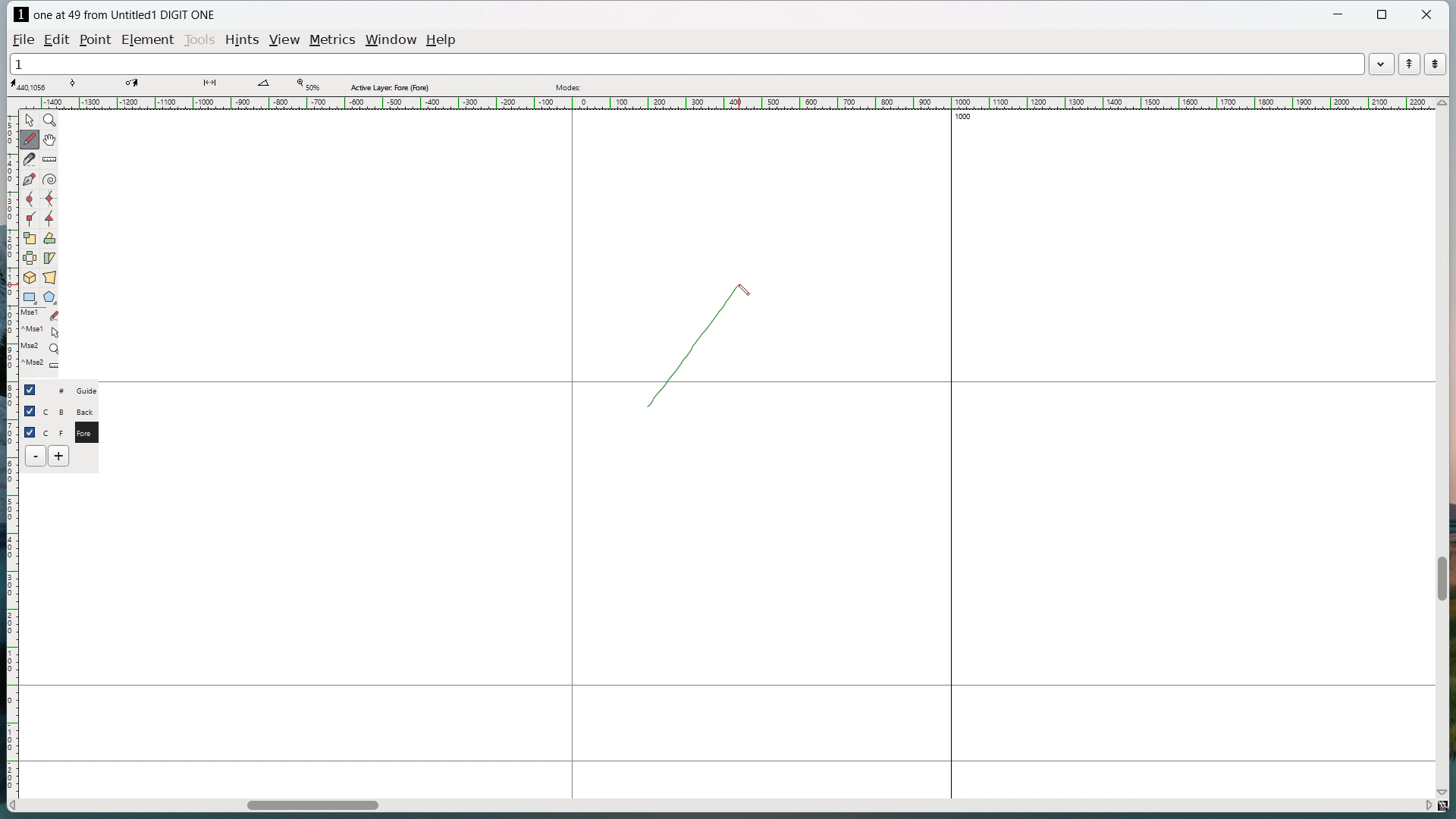 The height and width of the screenshot is (819, 1456). Describe the element at coordinates (570, 87) in the screenshot. I see `modes` at that location.